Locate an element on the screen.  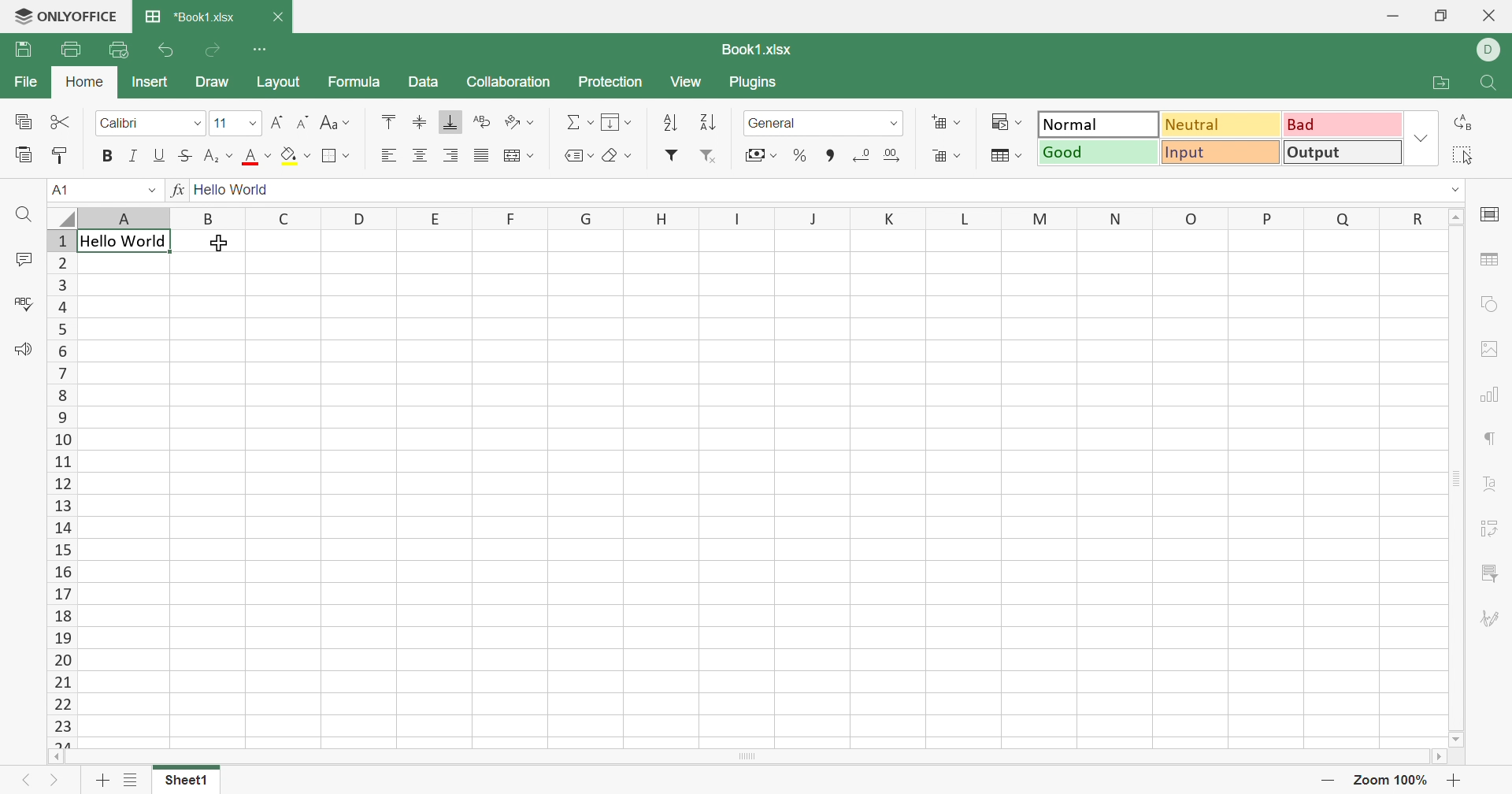
Close is located at coordinates (1491, 15).